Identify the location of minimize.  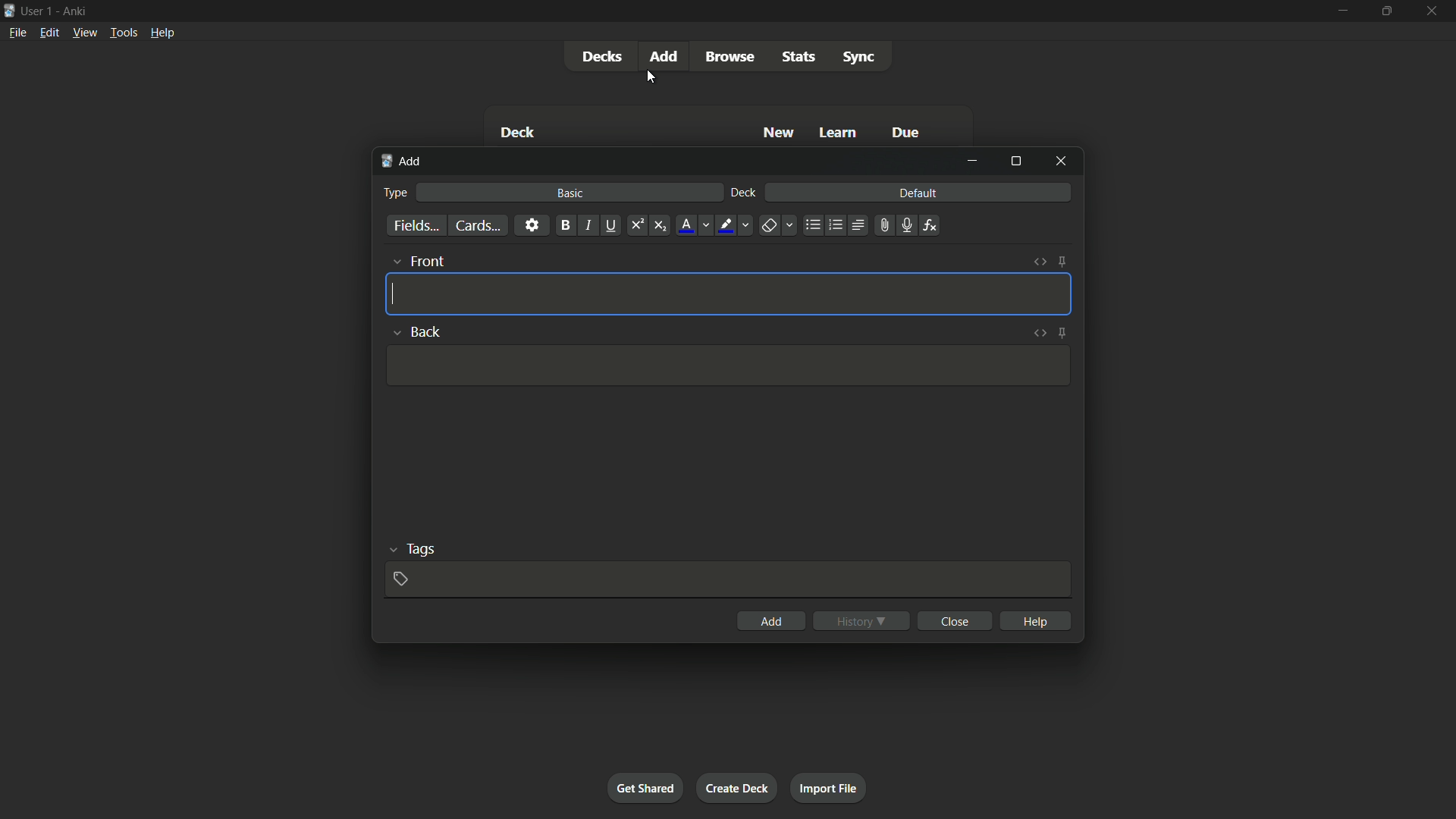
(1341, 10).